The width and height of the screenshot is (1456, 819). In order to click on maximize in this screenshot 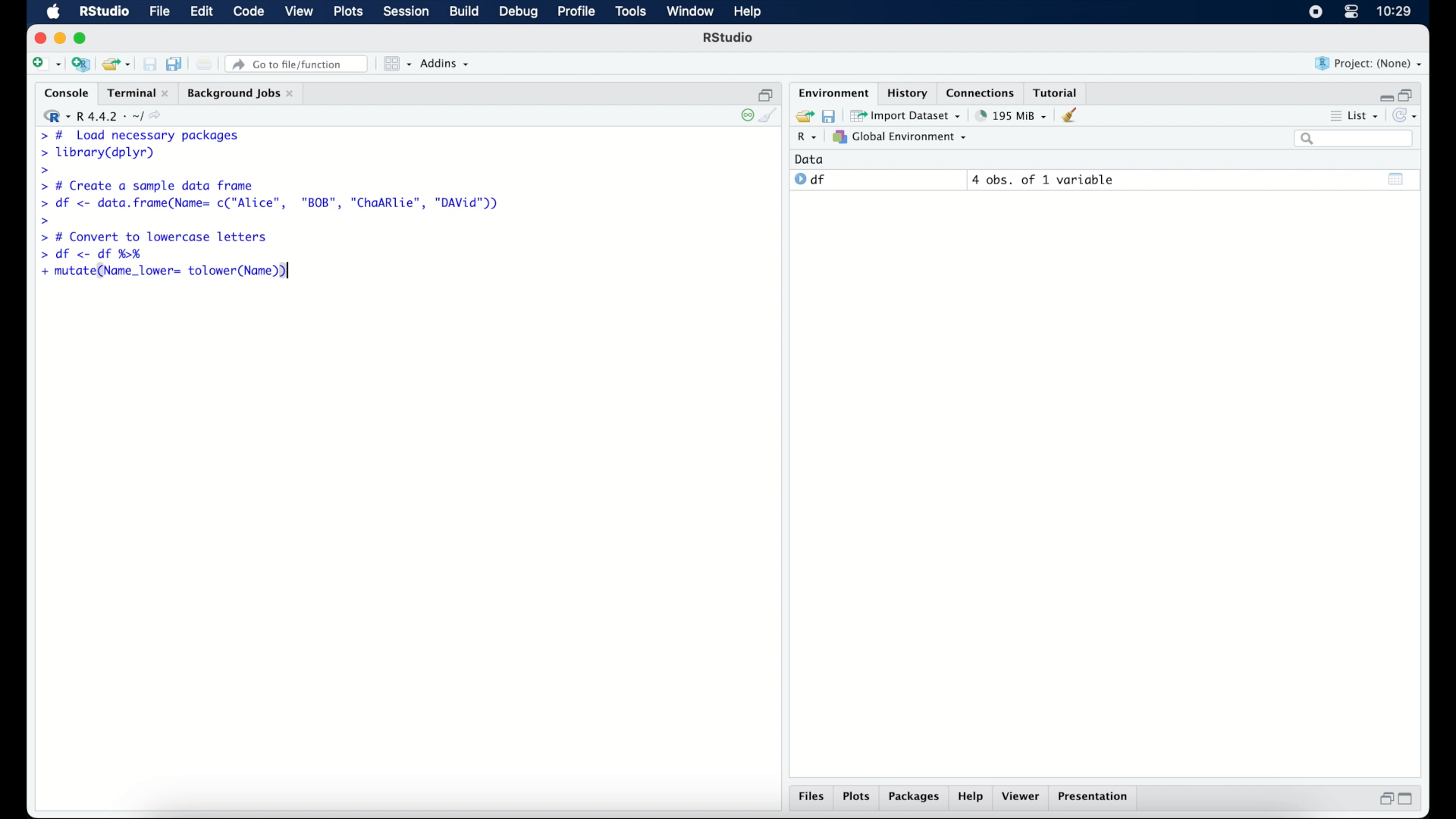, I will do `click(83, 38)`.